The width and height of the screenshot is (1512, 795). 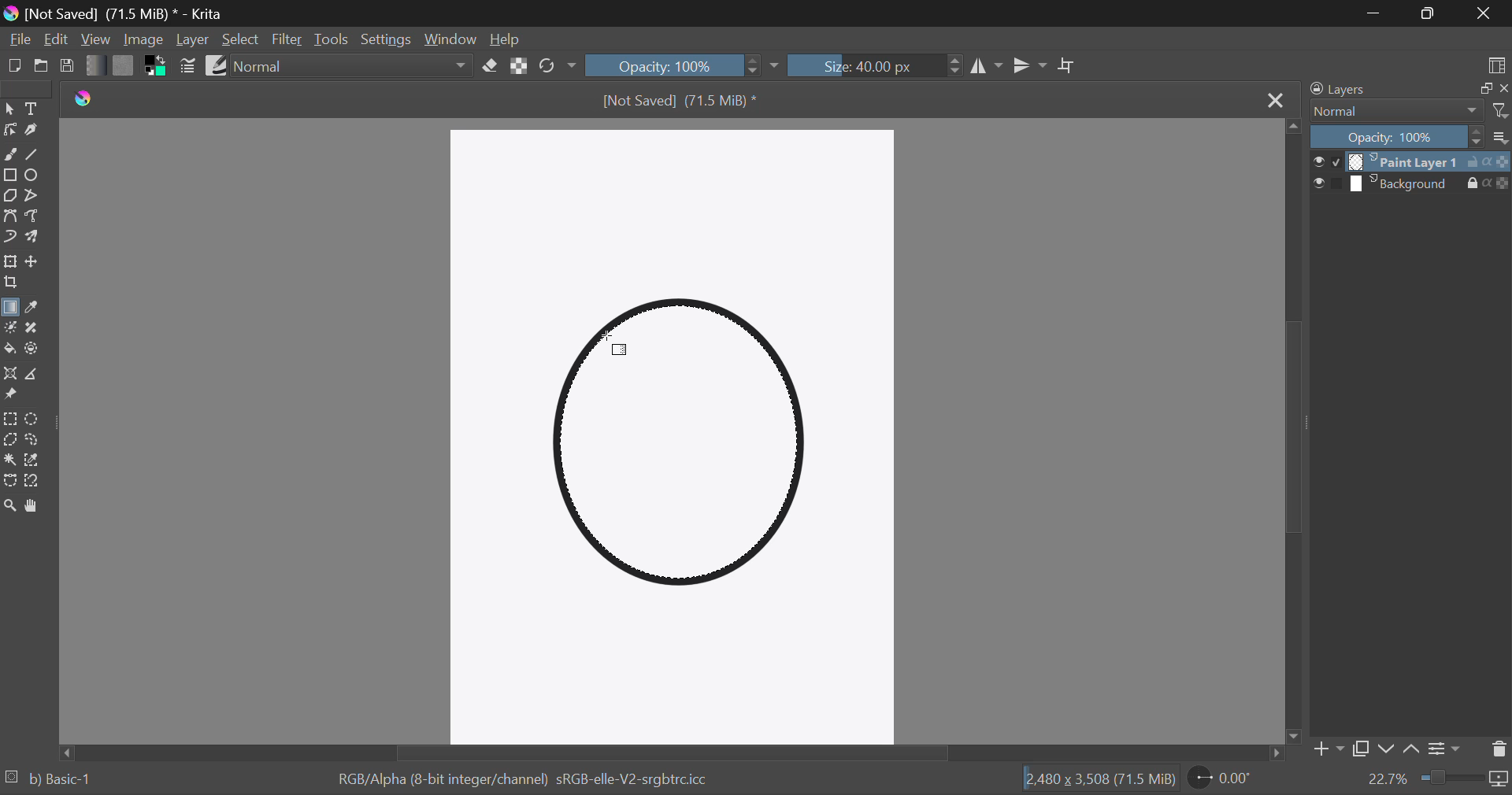 What do you see at coordinates (10, 350) in the screenshot?
I see `Fill` at bounding box center [10, 350].